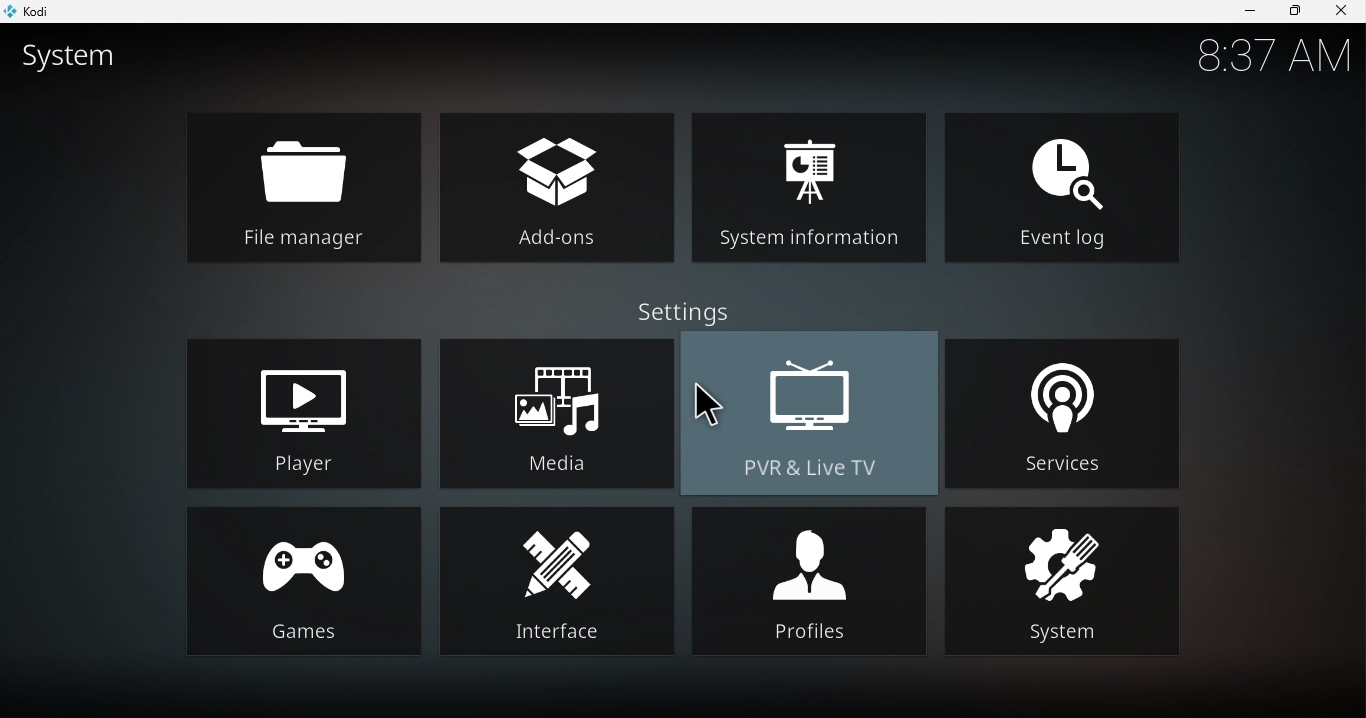 This screenshot has height=718, width=1366. What do you see at coordinates (302, 580) in the screenshot?
I see `Games` at bounding box center [302, 580].